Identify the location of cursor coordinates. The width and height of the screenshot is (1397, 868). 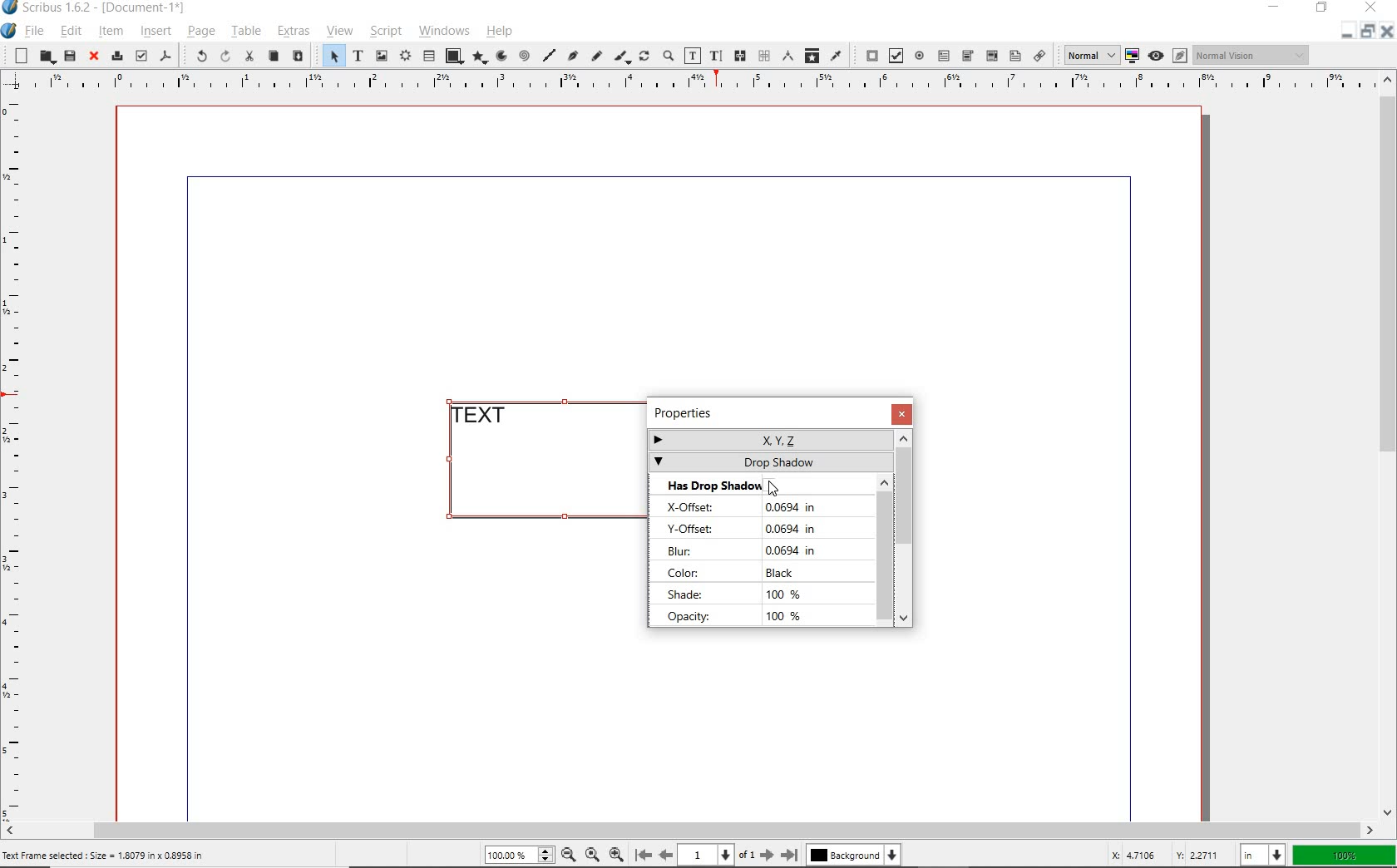
(1164, 855).